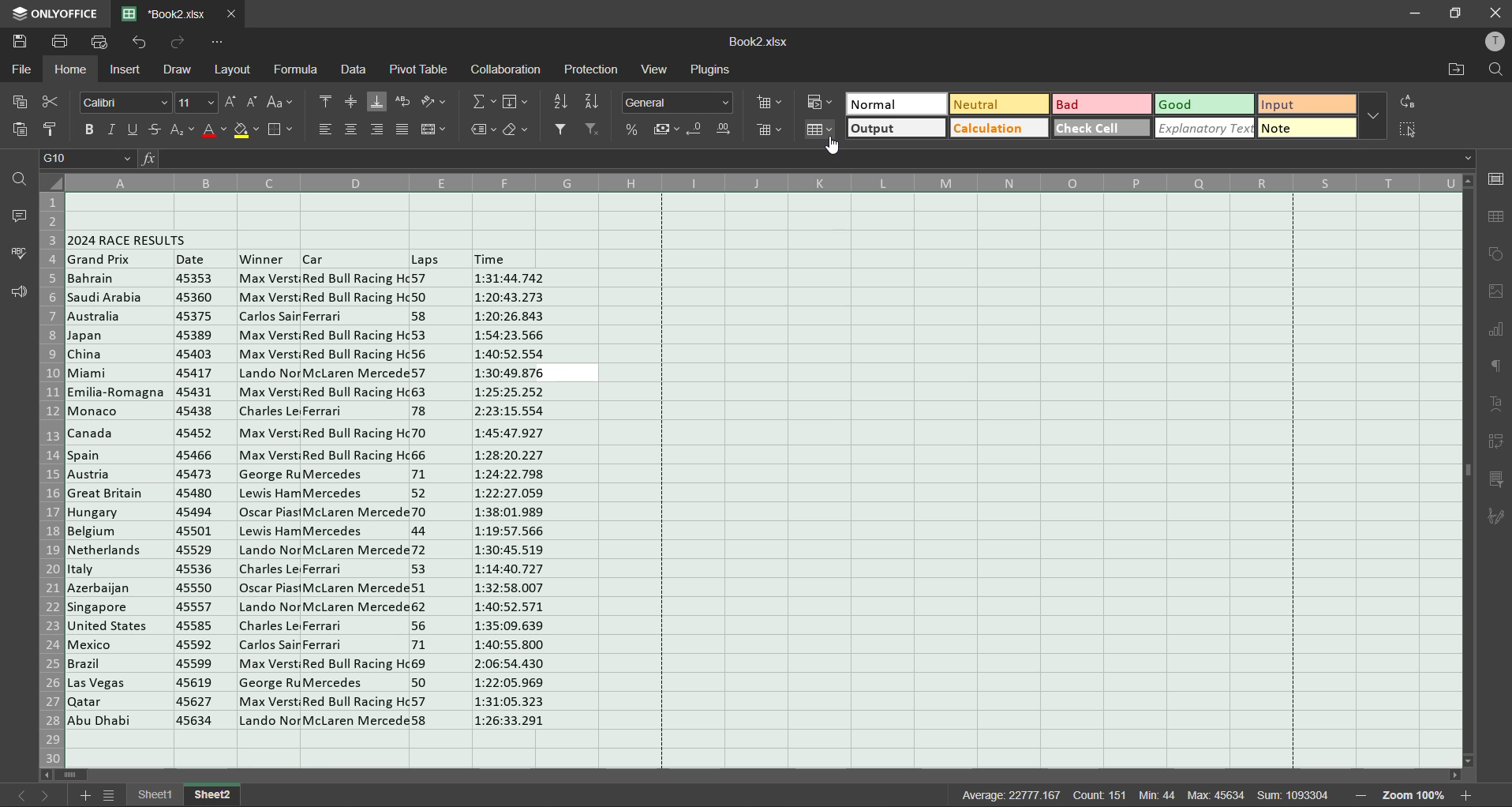 The image size is (1512, 807). Describe the element at coordinates (51, 127) in the screenshot. I see `copy style` at that location.